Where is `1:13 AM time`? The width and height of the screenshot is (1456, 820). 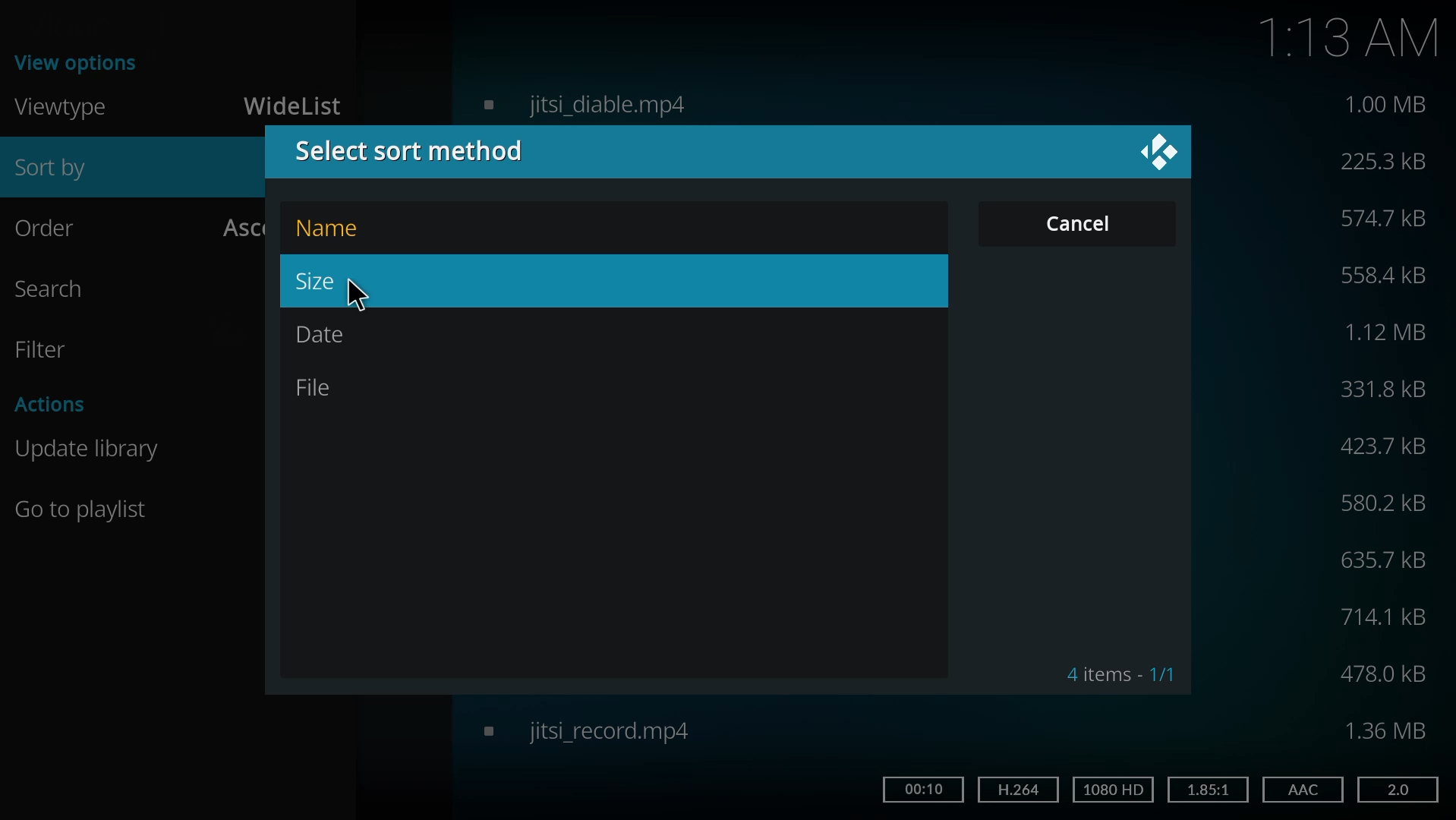 1:13 AM time is located at coordinates (1351, 39).